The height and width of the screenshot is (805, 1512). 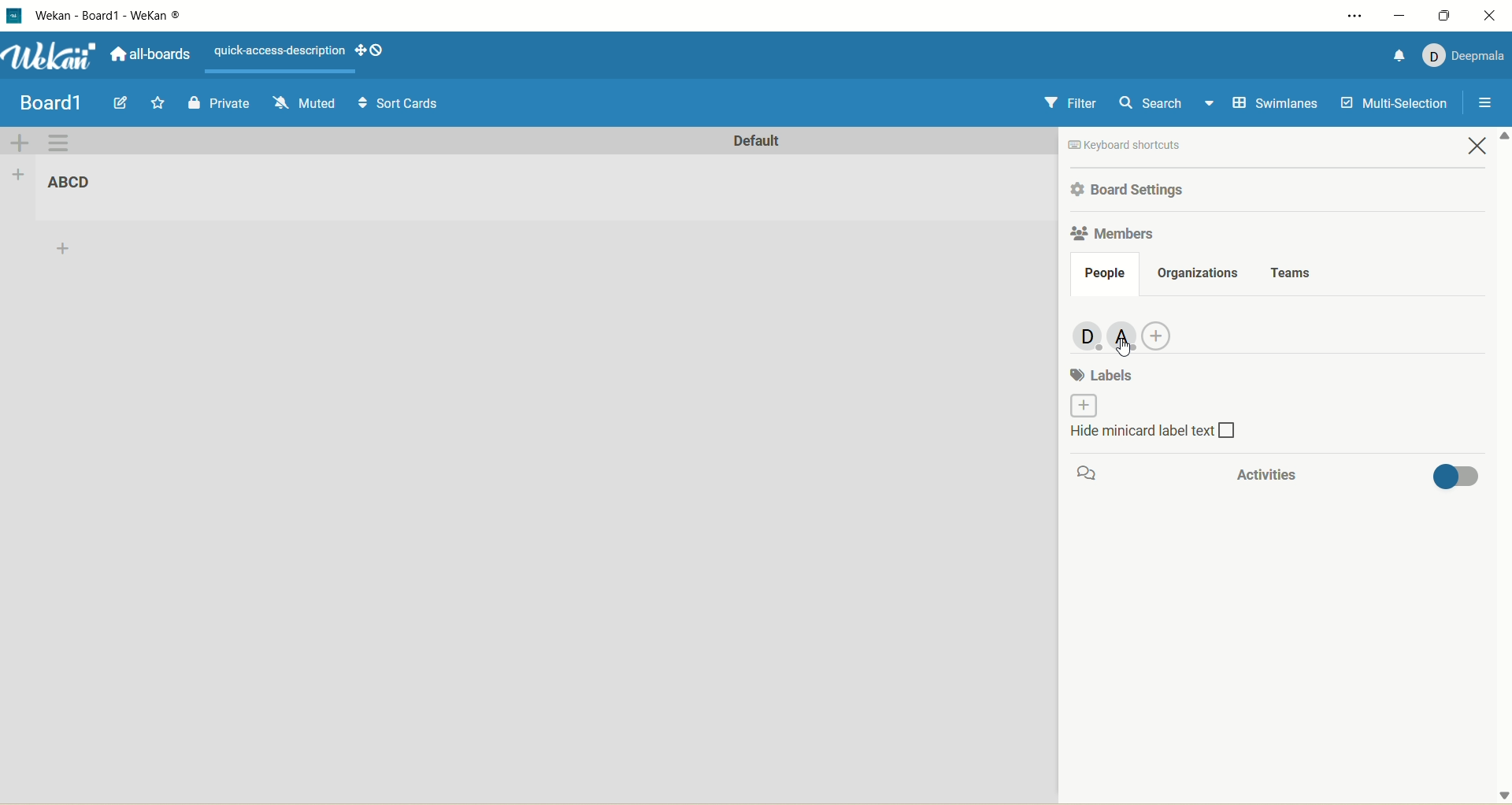 I want to click on organizations, so click(x=1199, y=272).